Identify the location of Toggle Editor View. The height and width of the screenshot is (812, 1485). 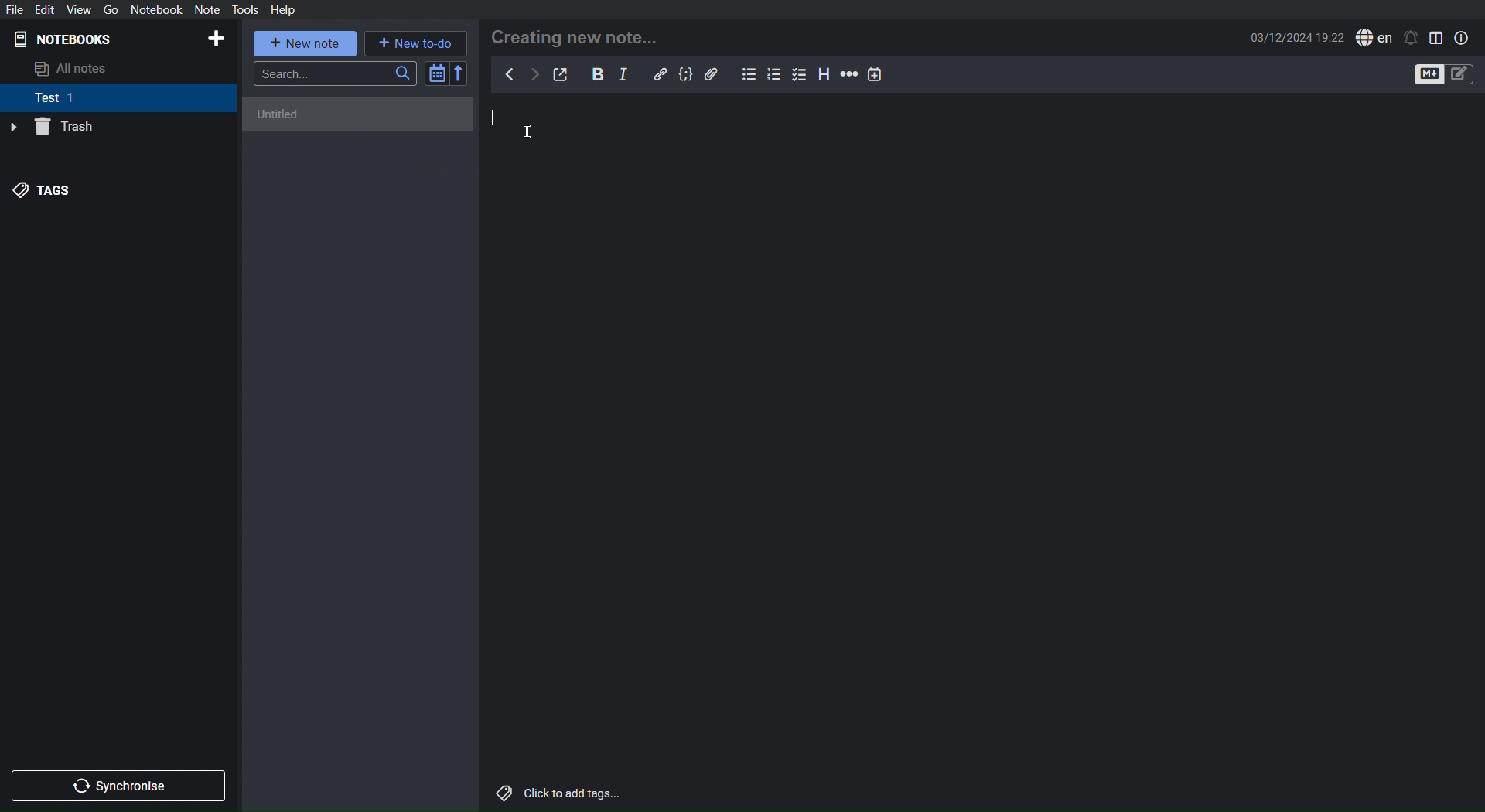
(1436, 39).